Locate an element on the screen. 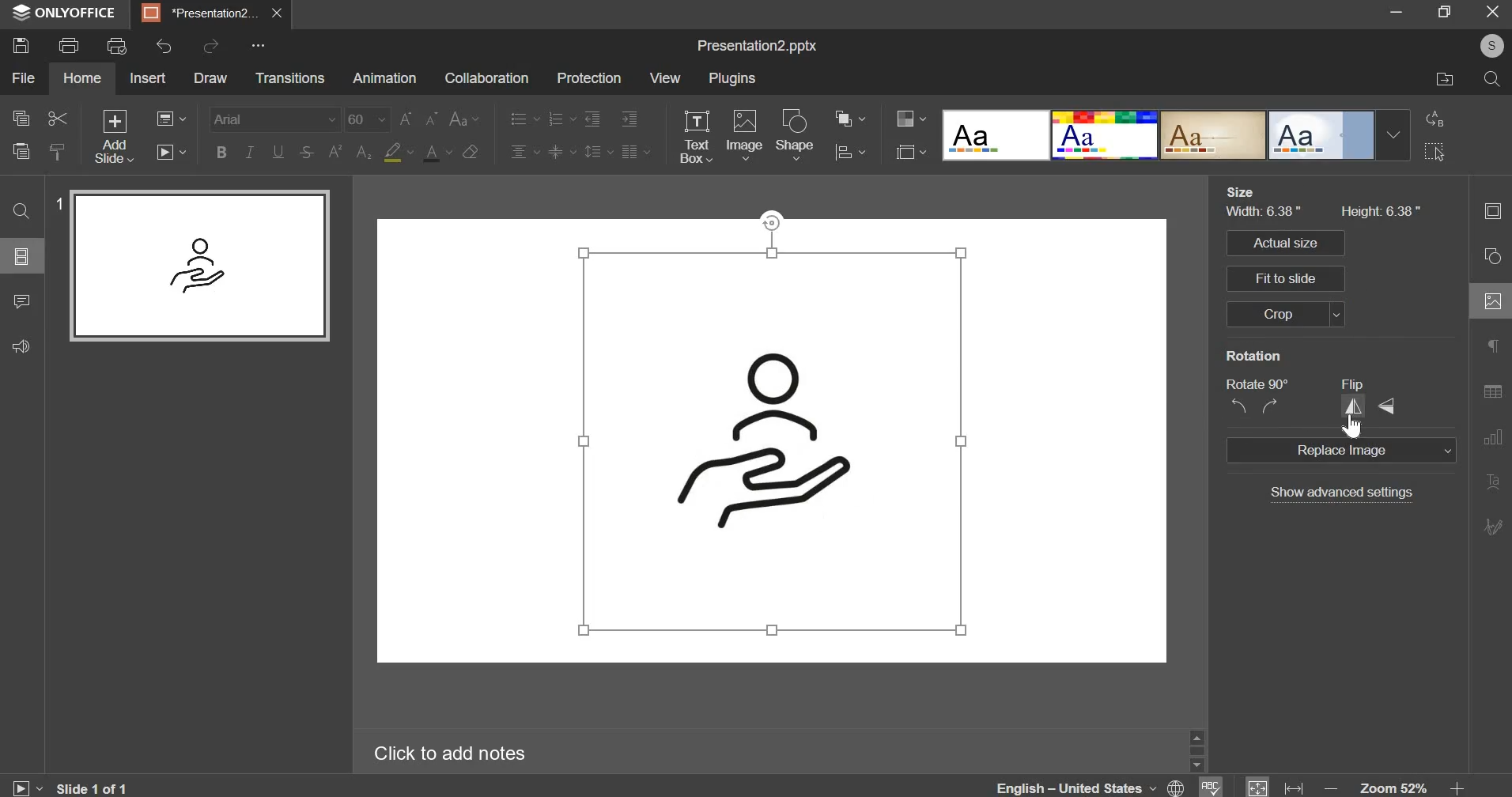 This screenshot has width=1512, height=797. shapes is located at coordinates (795, 134).